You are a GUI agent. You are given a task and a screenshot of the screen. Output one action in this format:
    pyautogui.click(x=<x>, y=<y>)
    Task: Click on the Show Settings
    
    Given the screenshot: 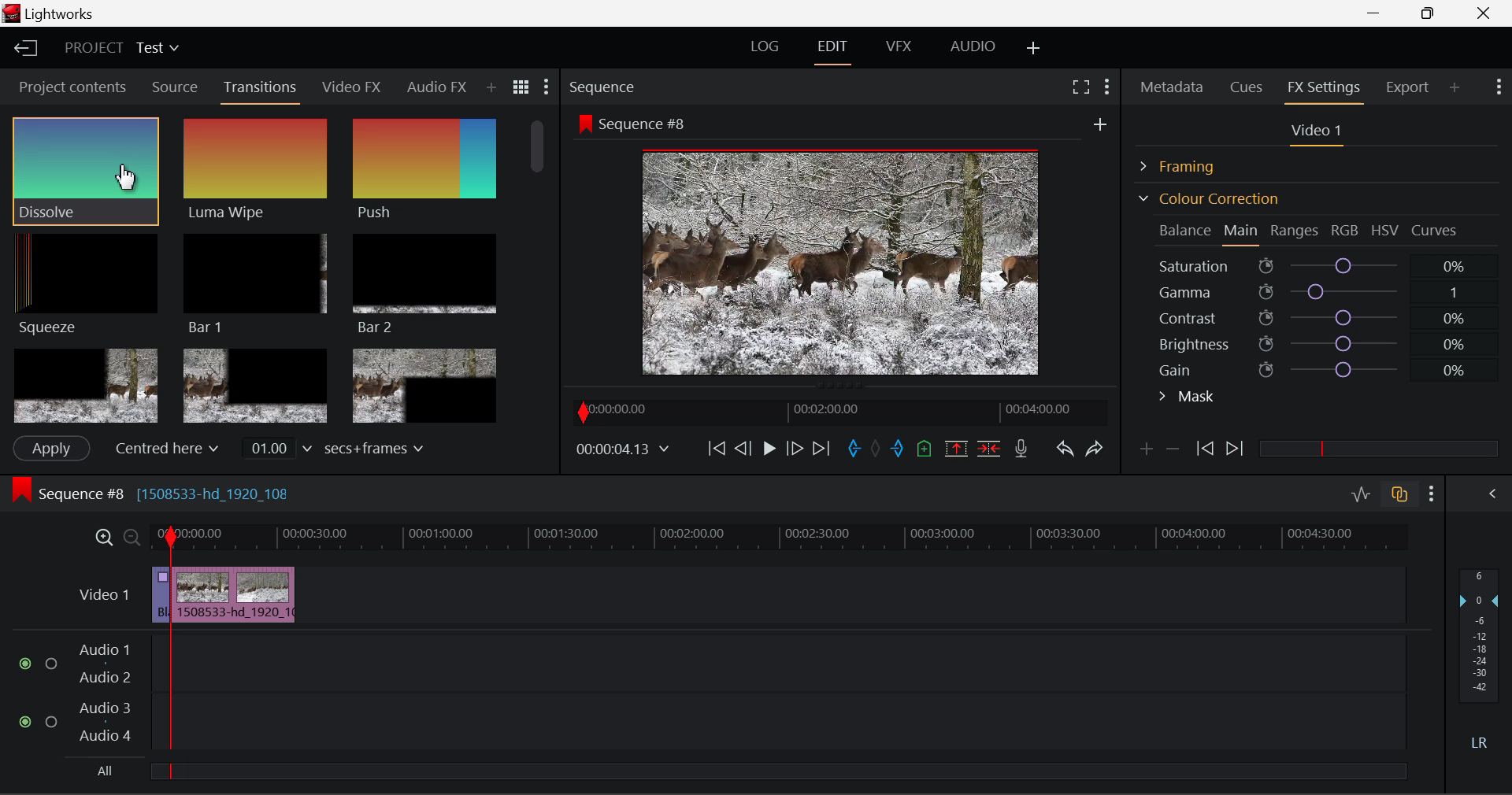 What is the action you would take?
    pyautogui.click(x=1432, y=494)
    